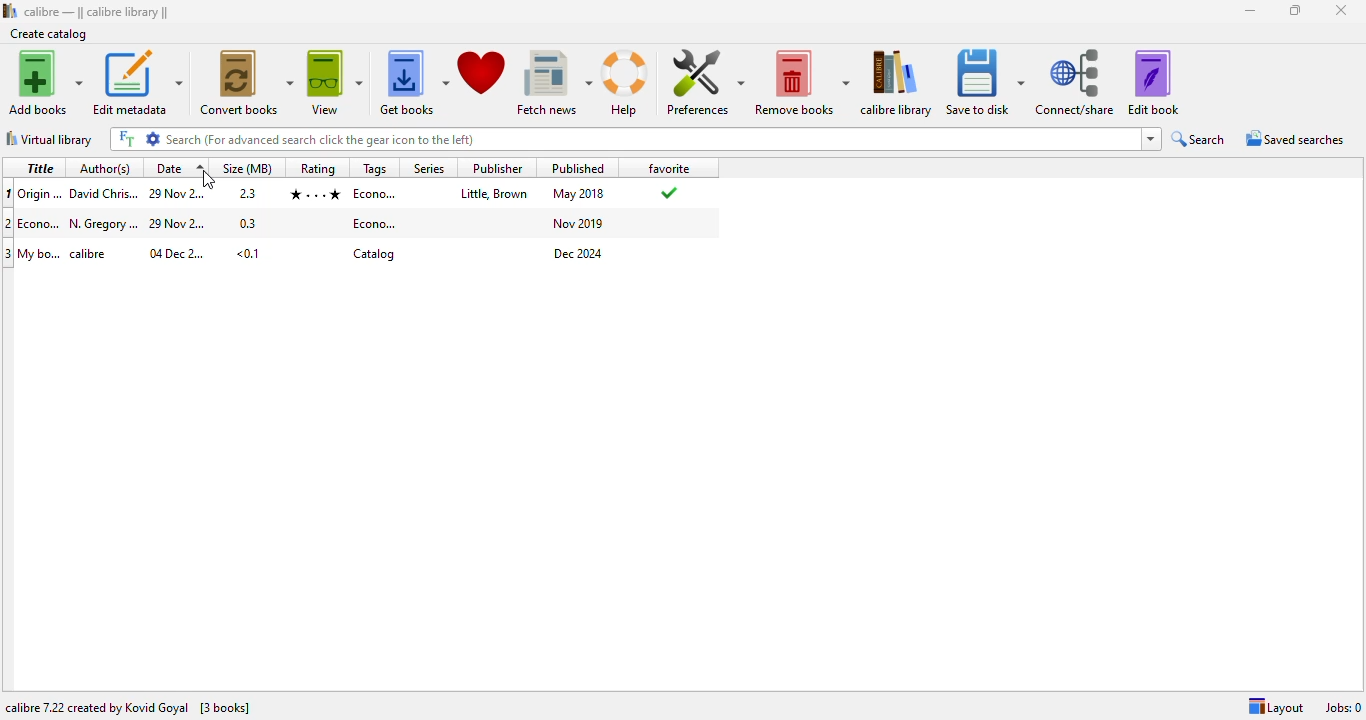  What do you see at coordinates (48, 33) in the screenshot?
I see `create catalog` at bounding box center [48, 33].